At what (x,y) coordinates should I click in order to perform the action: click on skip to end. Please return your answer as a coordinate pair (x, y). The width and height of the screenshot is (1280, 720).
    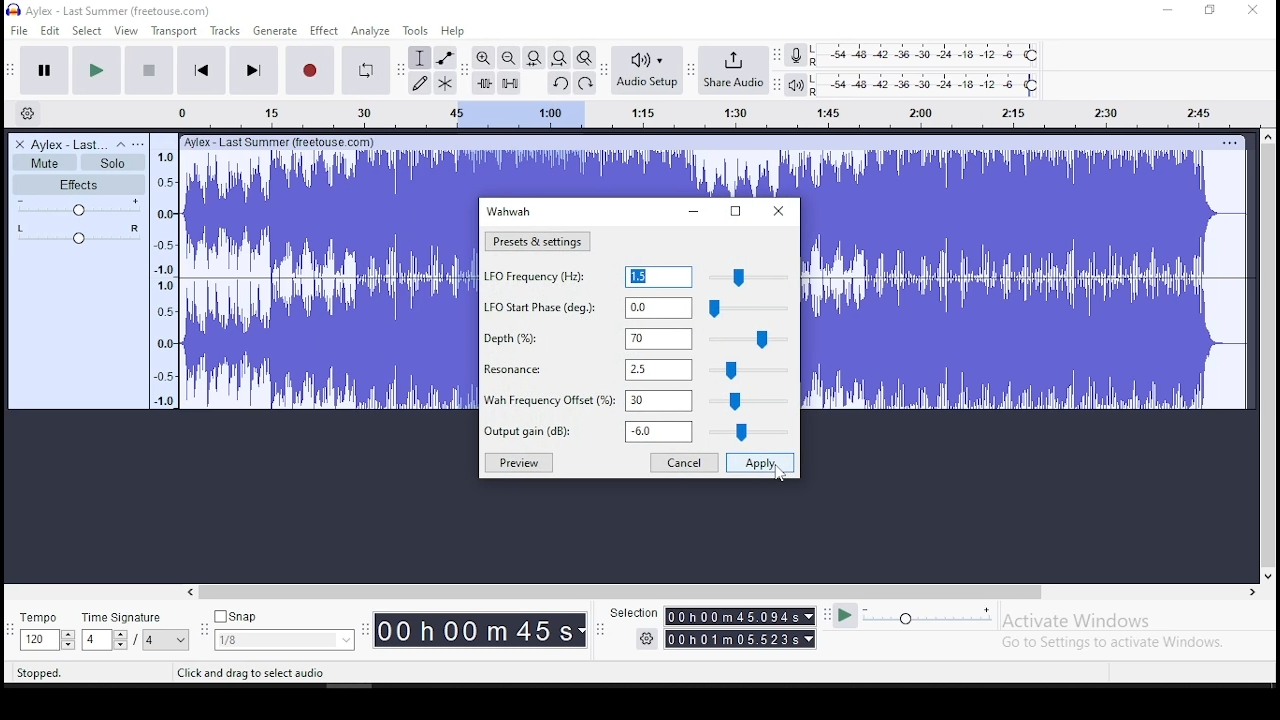
    Looking at the image, I should click on (254, 71).